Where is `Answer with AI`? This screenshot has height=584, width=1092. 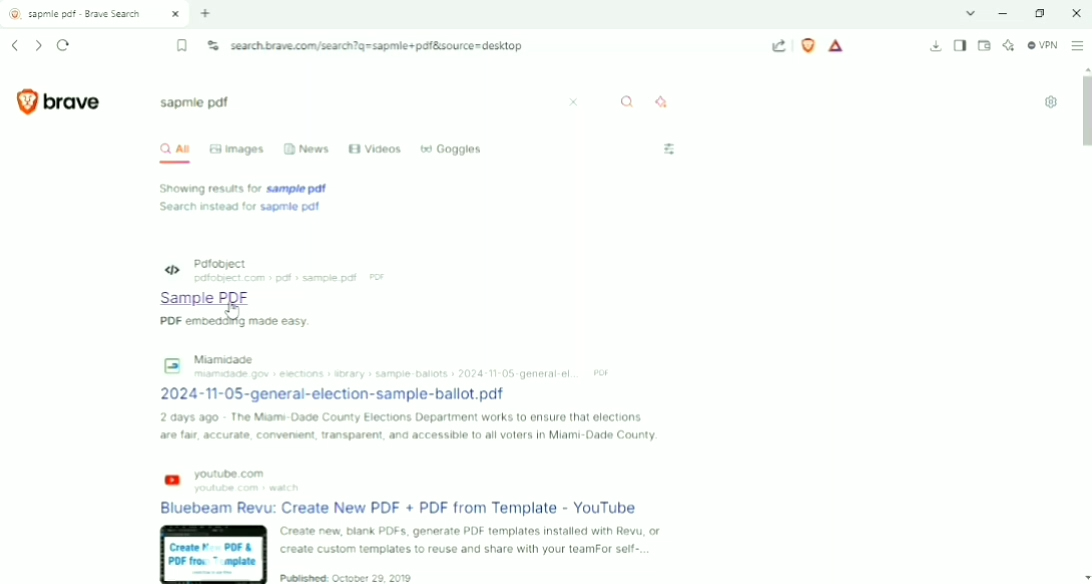 Answer with AI is located at coordinates (666, 101).